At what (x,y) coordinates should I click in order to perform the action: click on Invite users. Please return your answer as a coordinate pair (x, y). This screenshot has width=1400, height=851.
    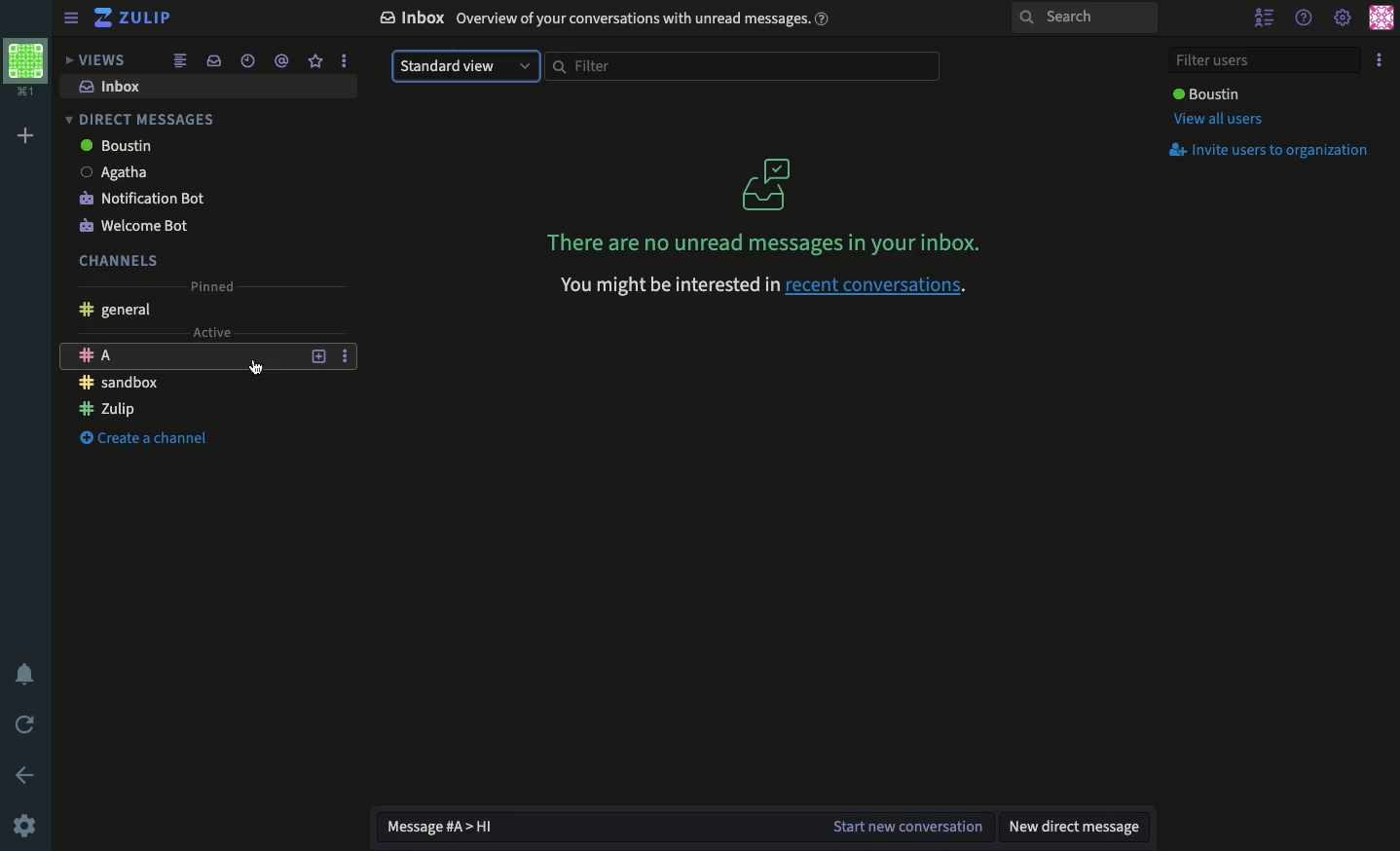
    Looking at the image, I should click on (1268, 151).